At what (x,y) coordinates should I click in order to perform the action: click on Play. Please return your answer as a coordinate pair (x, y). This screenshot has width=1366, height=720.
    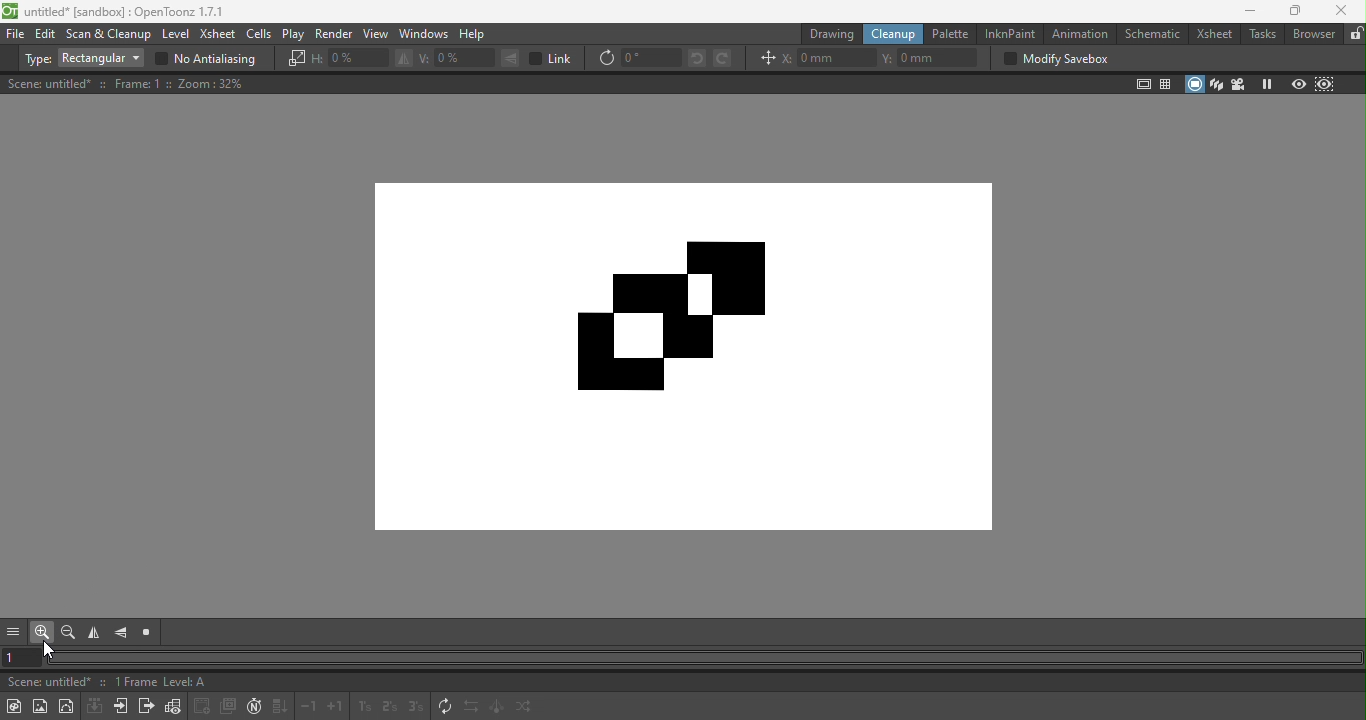
    Looking at the image, I should click on (292, 35).